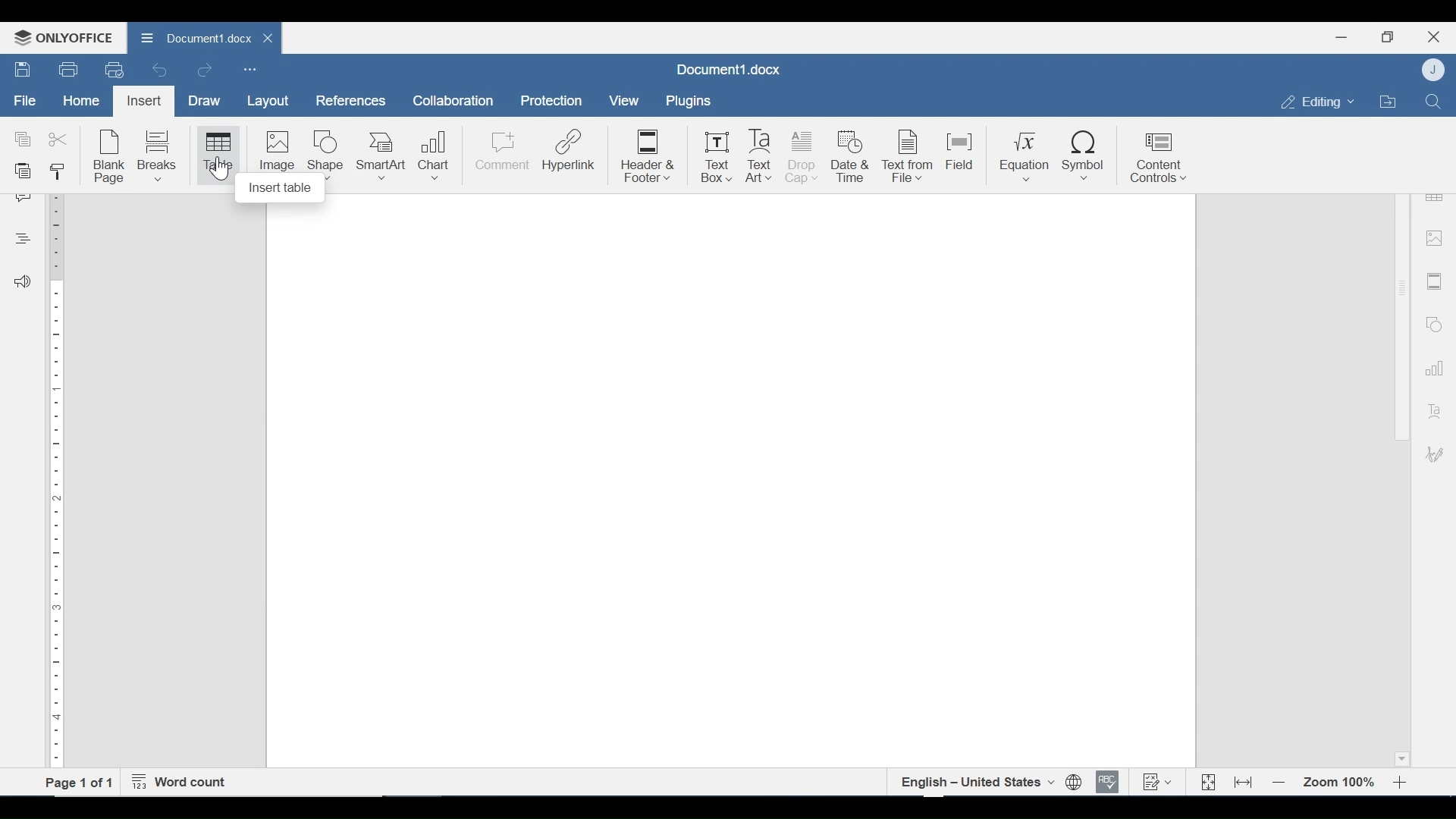 The height and width of the screenshot is (819, 1456). Describe the element at coordinates (24, 172) in the screenshot. I see `Paste` at that location.